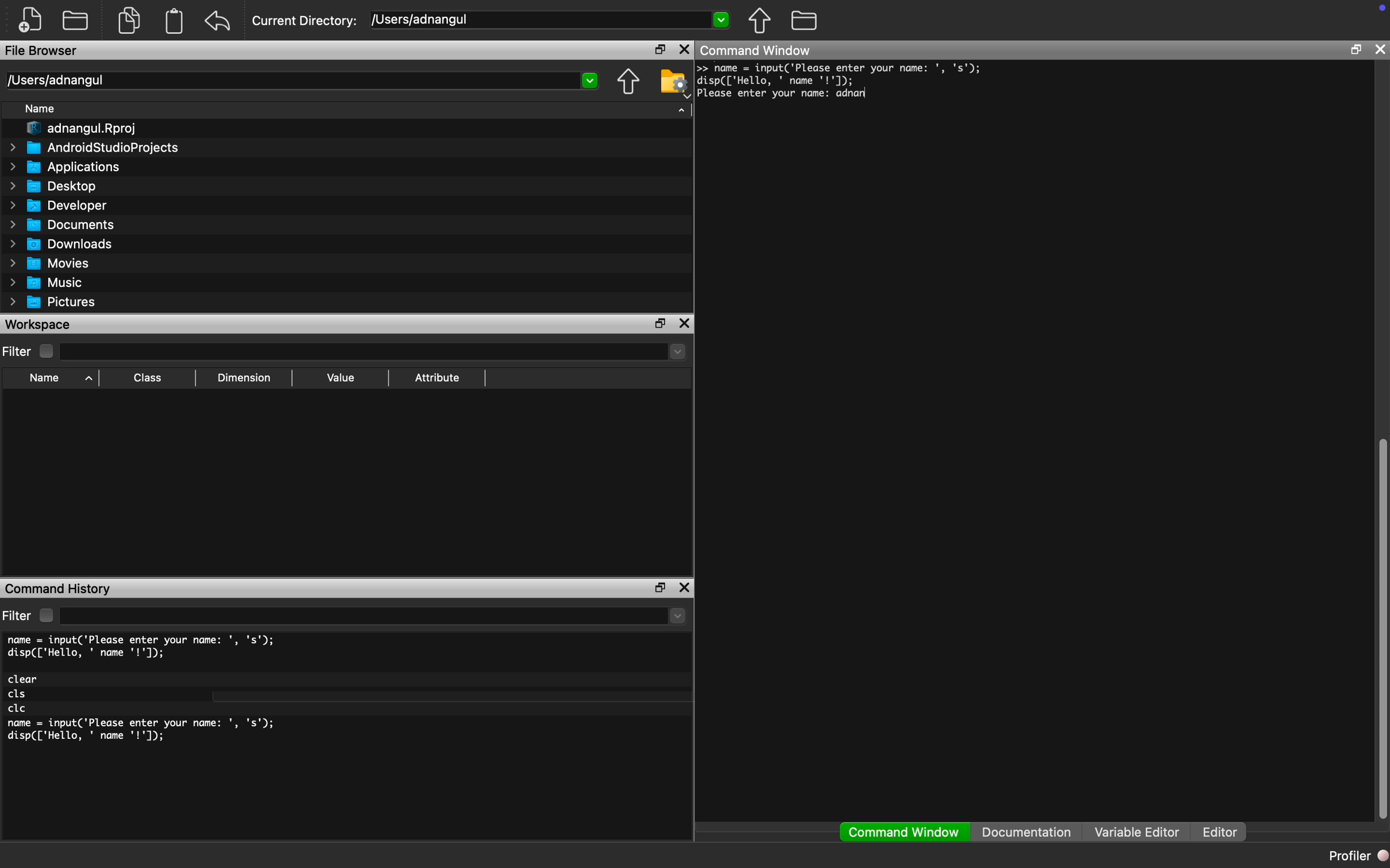 The width and height of the screenshot is (1390, 868). I want to click on maximize, so click(1356, 49).